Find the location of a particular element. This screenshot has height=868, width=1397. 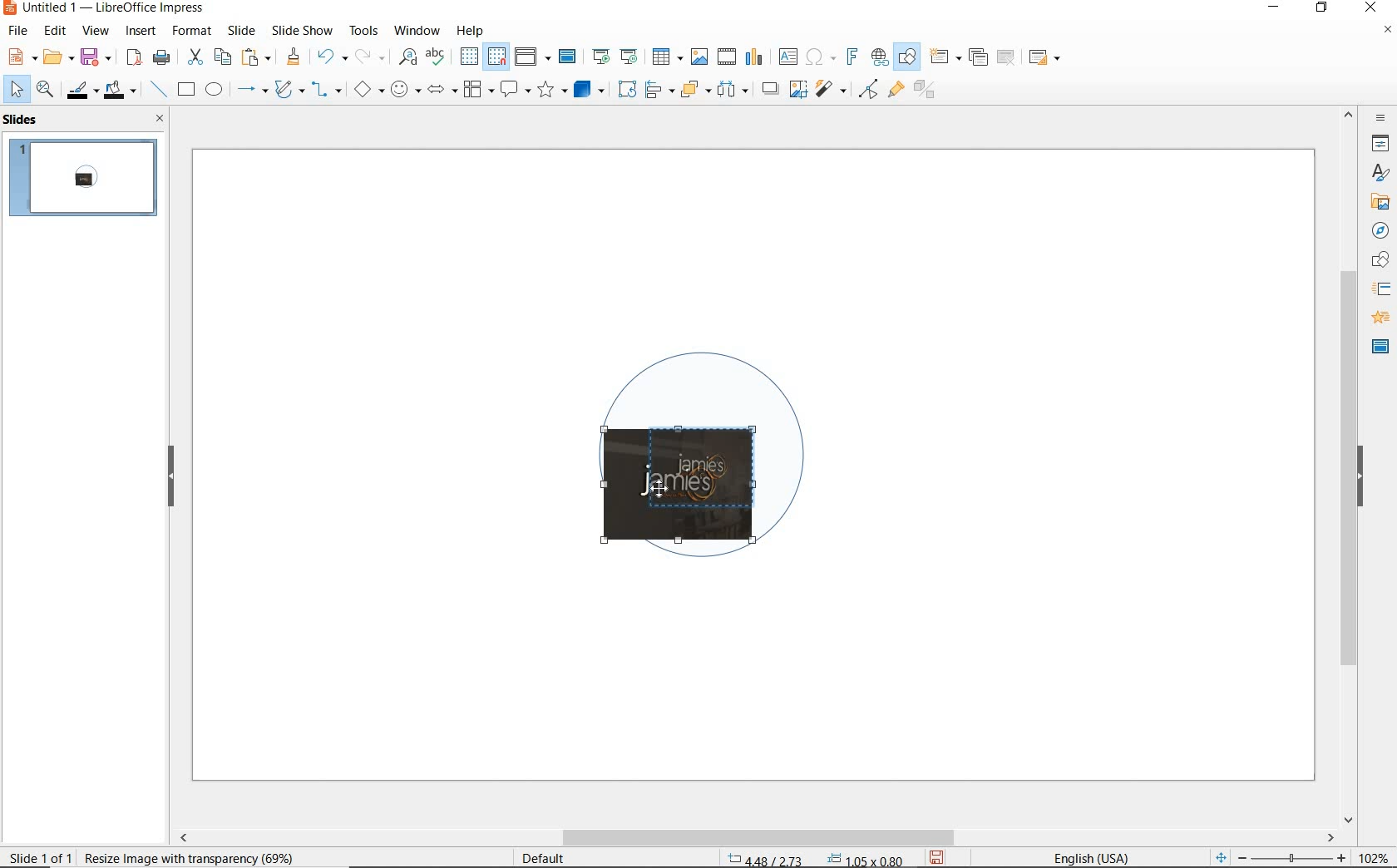

save is located at coordinates (96, 56).